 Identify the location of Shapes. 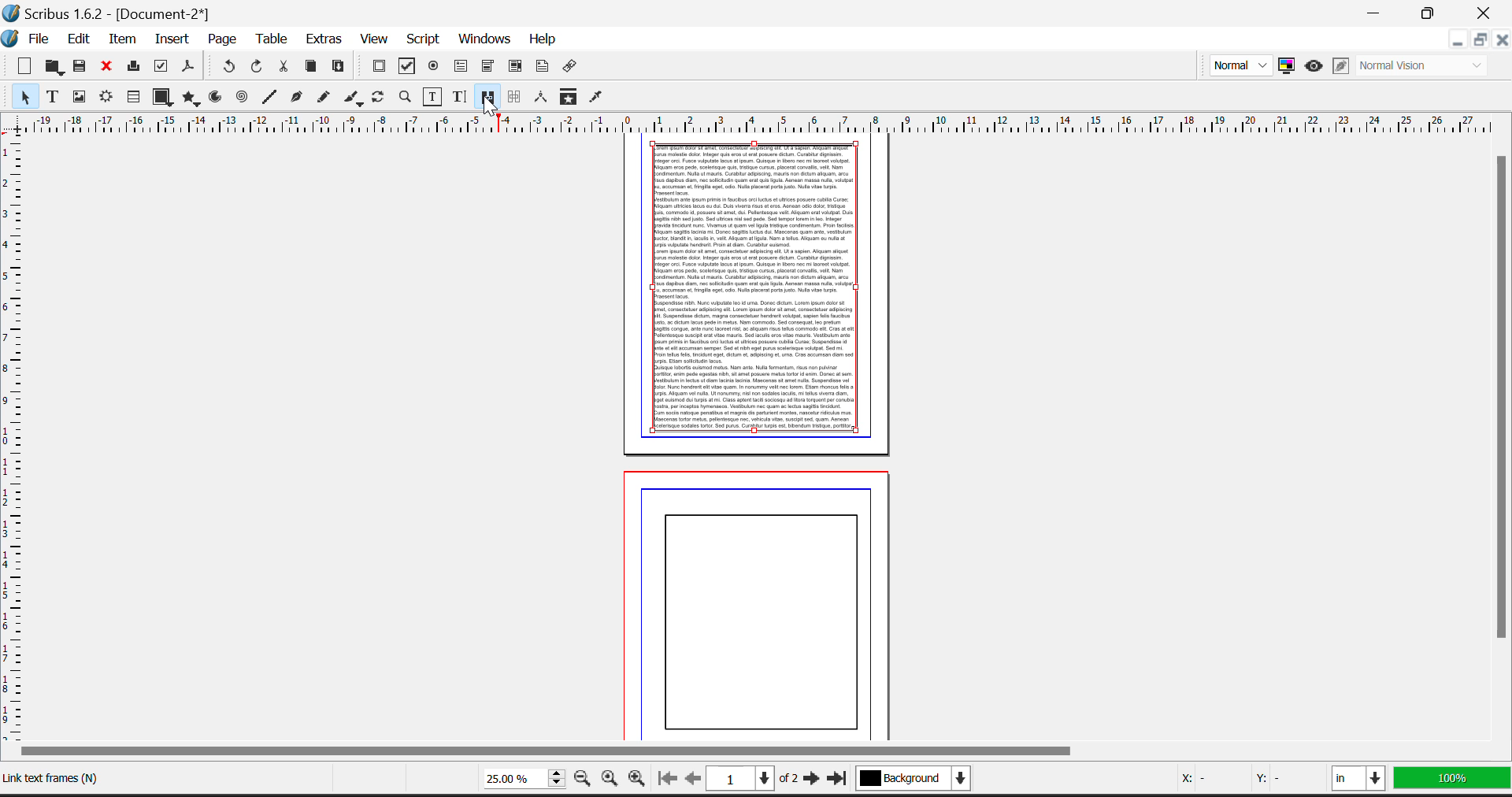
(161, 98).